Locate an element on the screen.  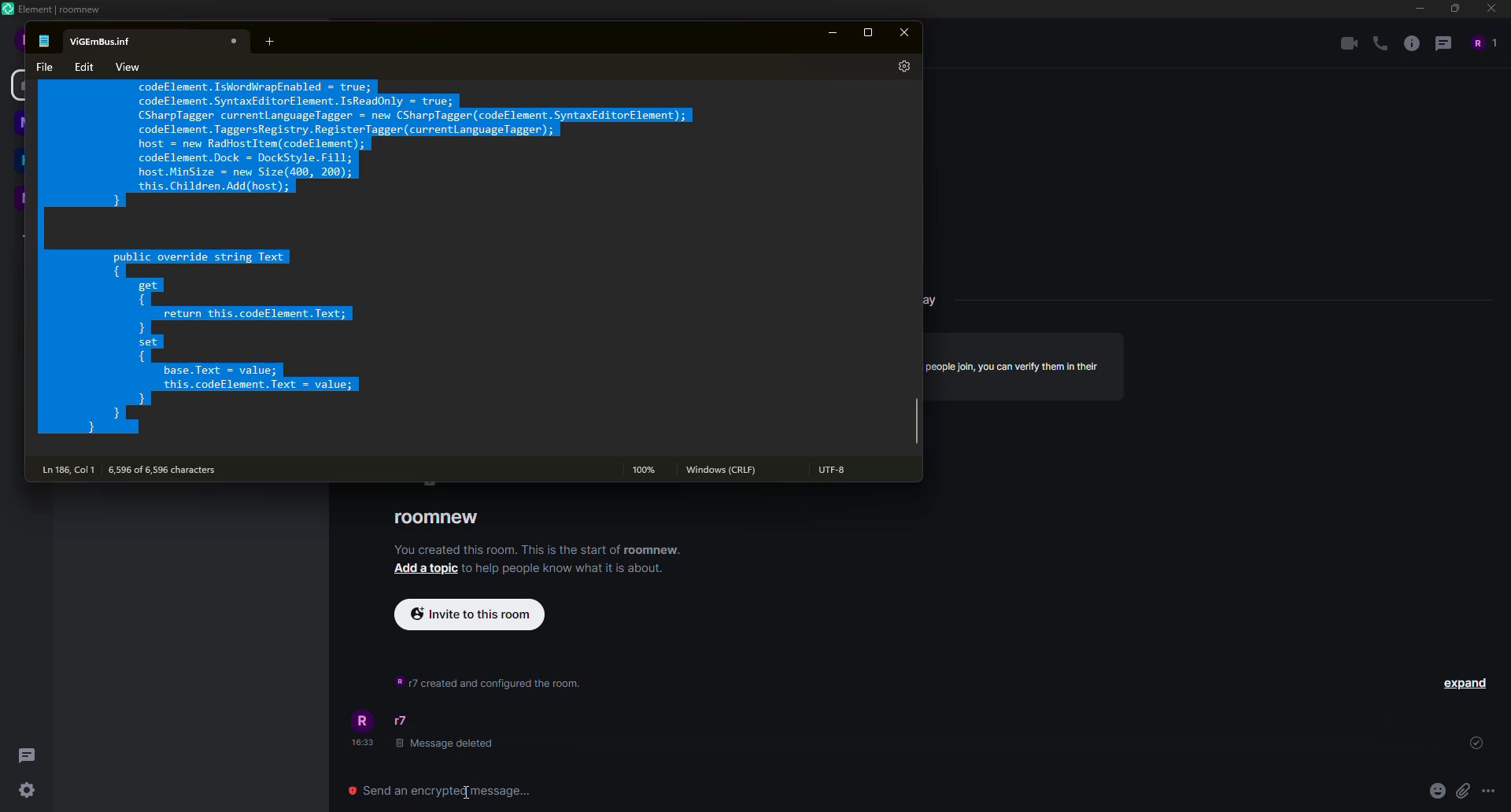
close is located at coordinates (1490, 9).